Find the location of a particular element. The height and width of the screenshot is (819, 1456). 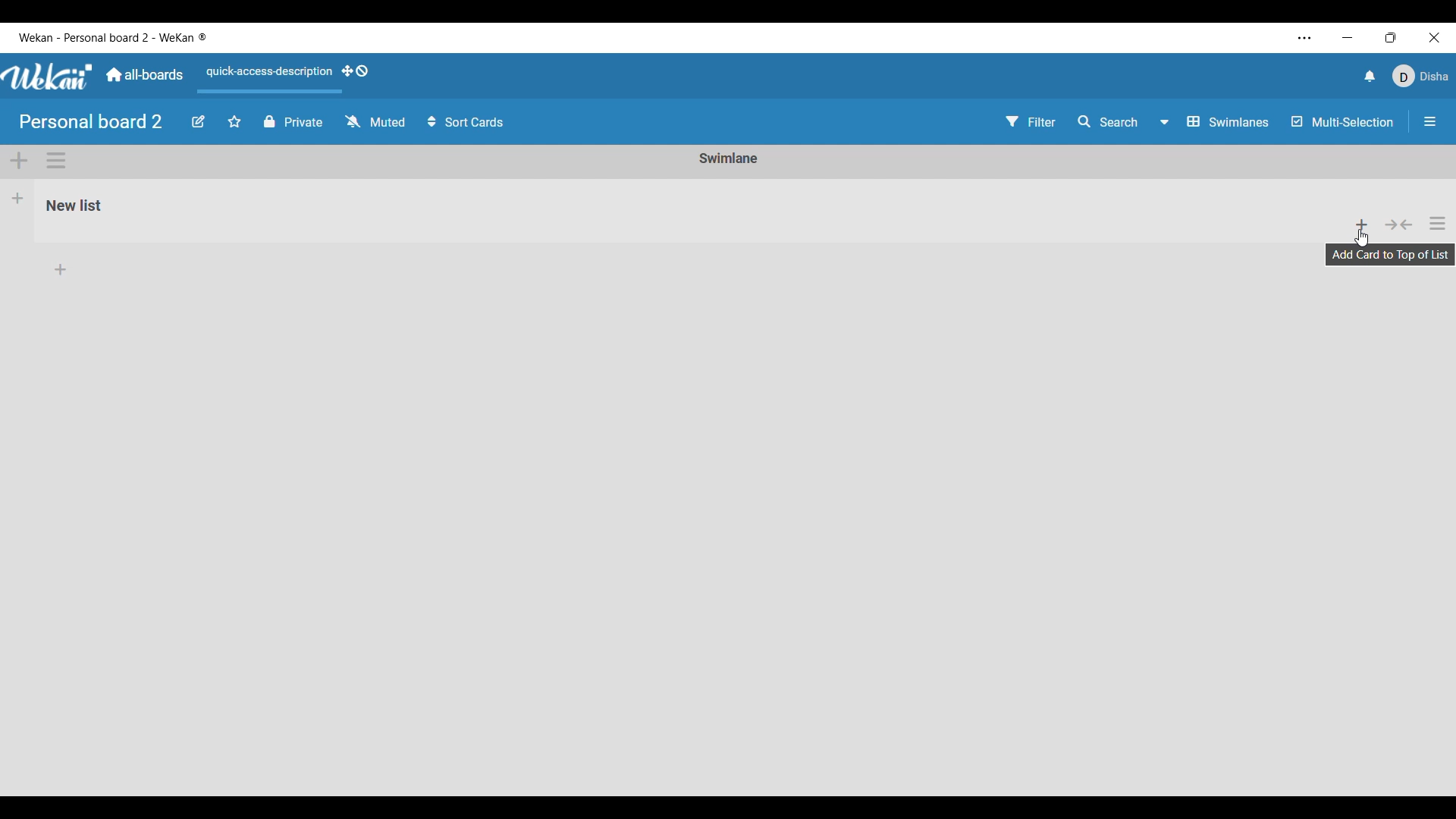

Add card to bottom of list is located at coordinates (730, 271).